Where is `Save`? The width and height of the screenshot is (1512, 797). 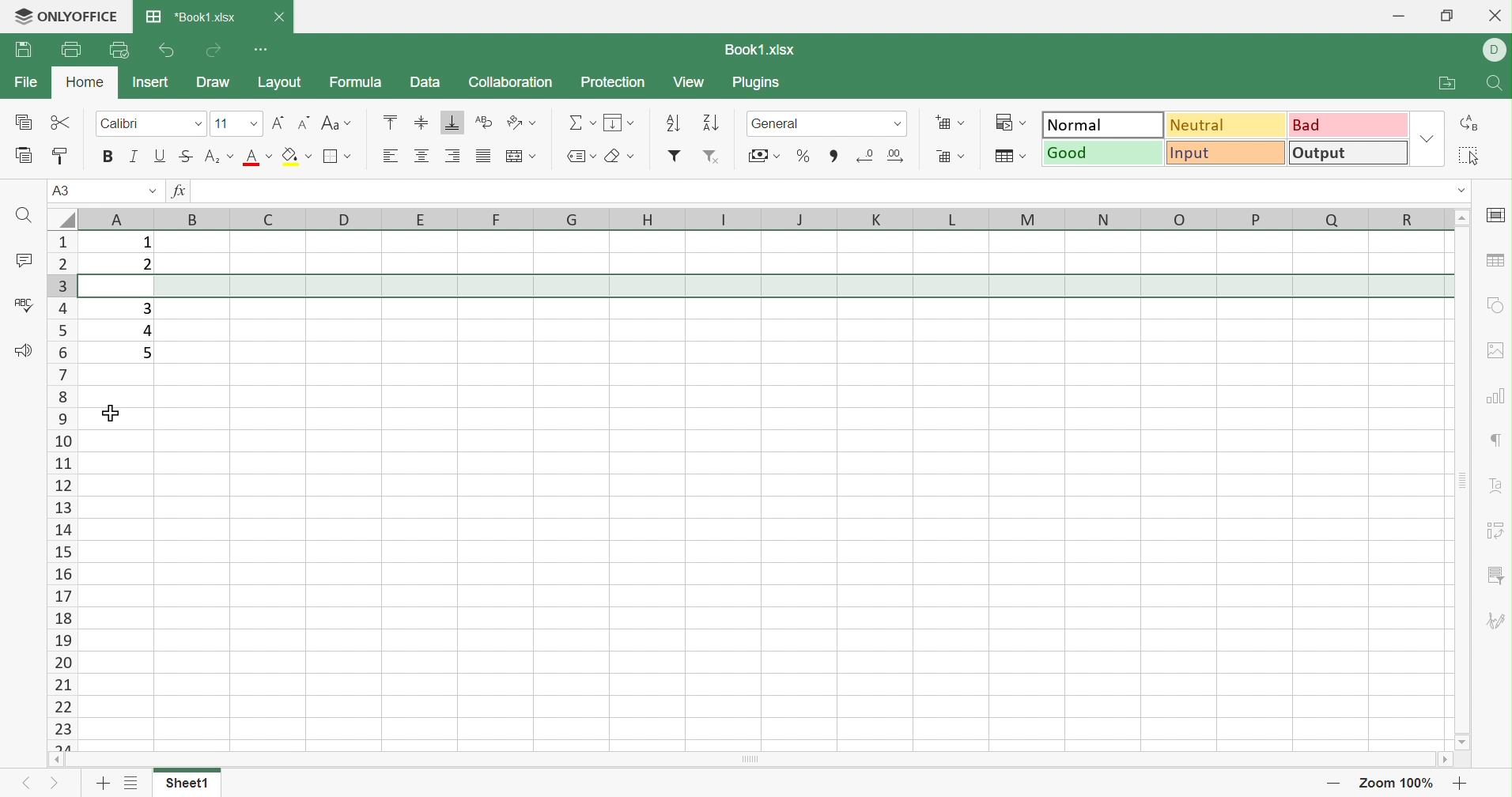 Save is located at coordinates (24, 49).